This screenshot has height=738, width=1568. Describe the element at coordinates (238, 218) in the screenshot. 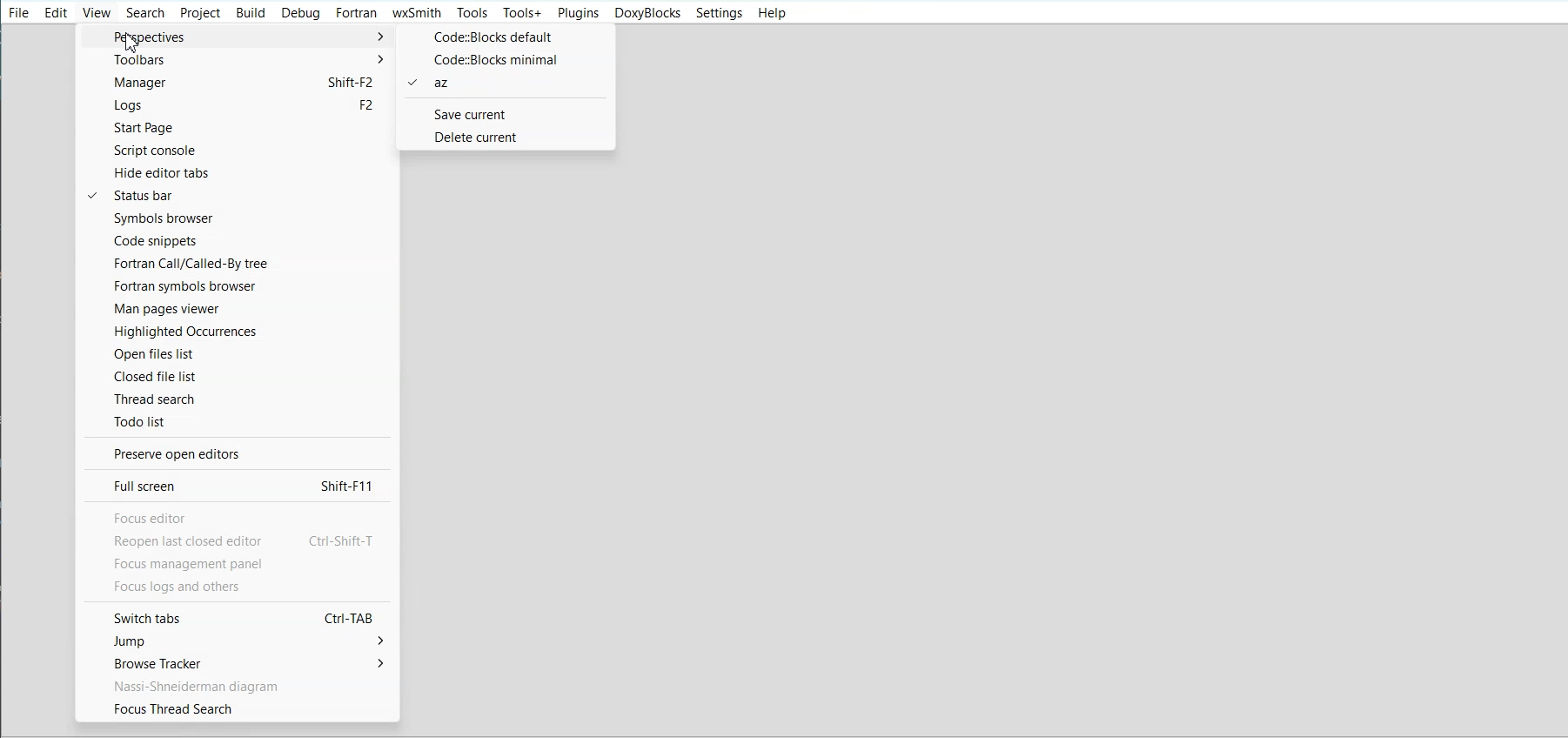

I see `Symbol browser` at that location.